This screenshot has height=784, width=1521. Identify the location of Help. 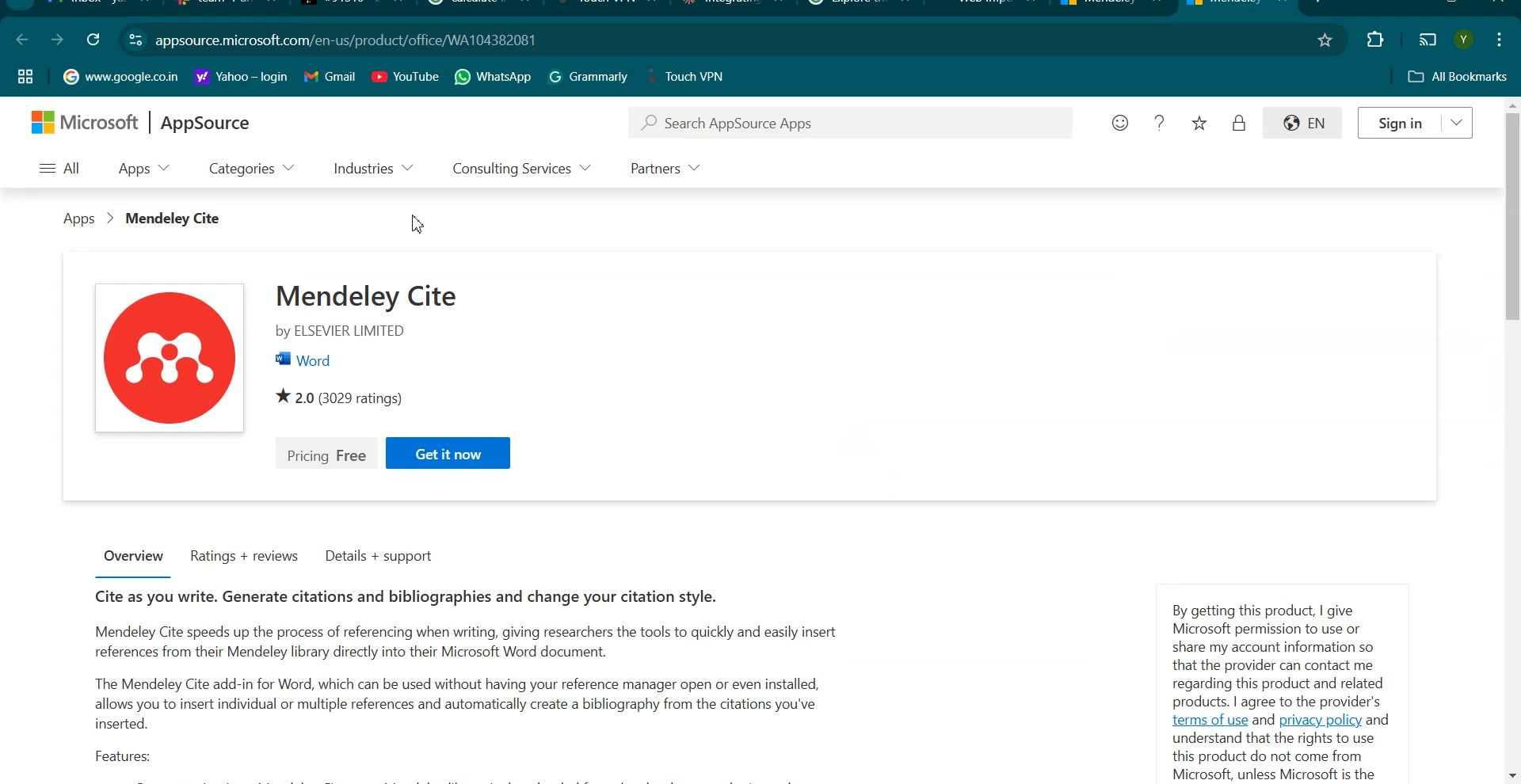
(1161, 122).